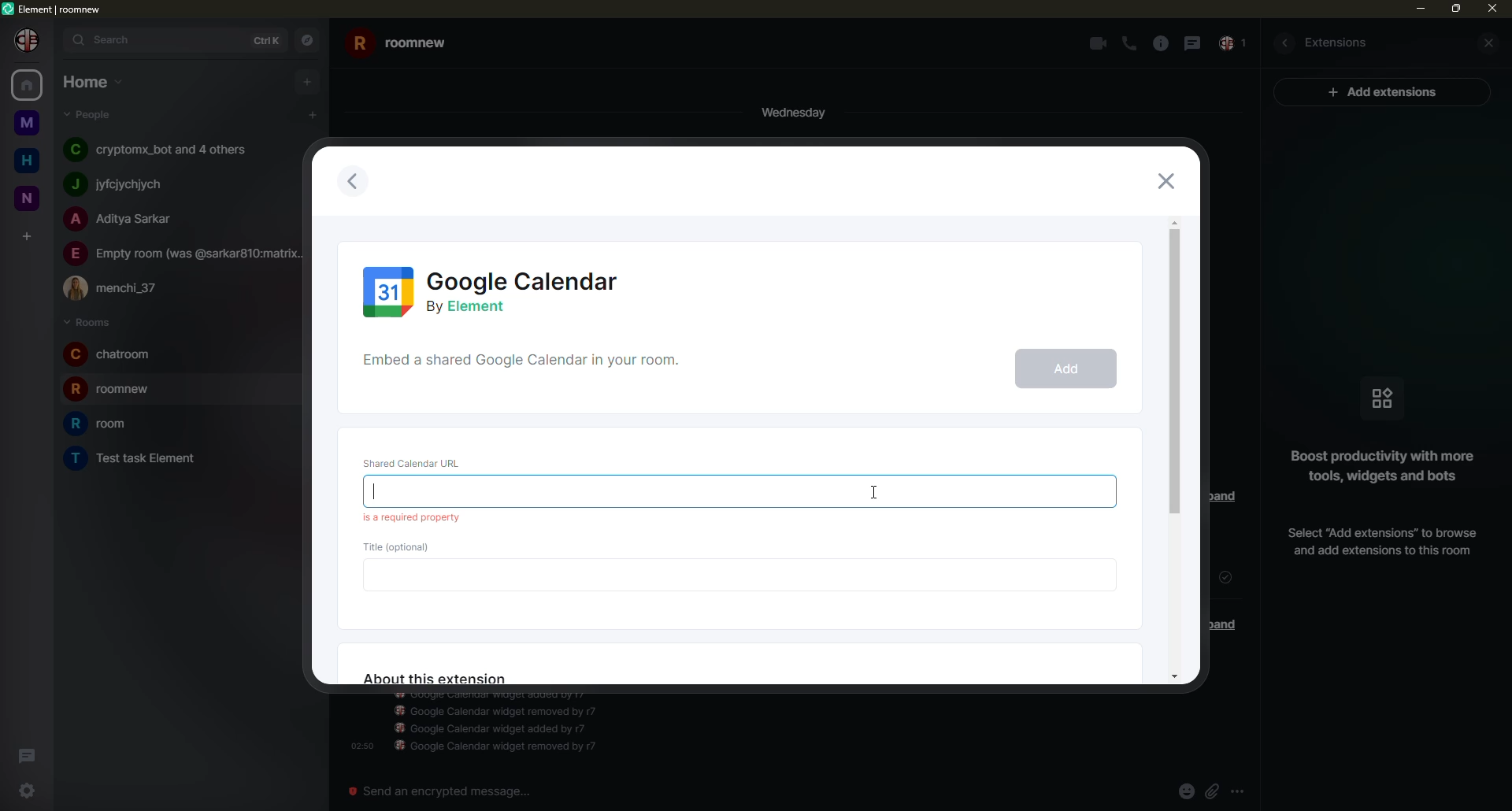 The width and height of the screenshot is (1512, 811). I want to click on time, so click(359, 745).